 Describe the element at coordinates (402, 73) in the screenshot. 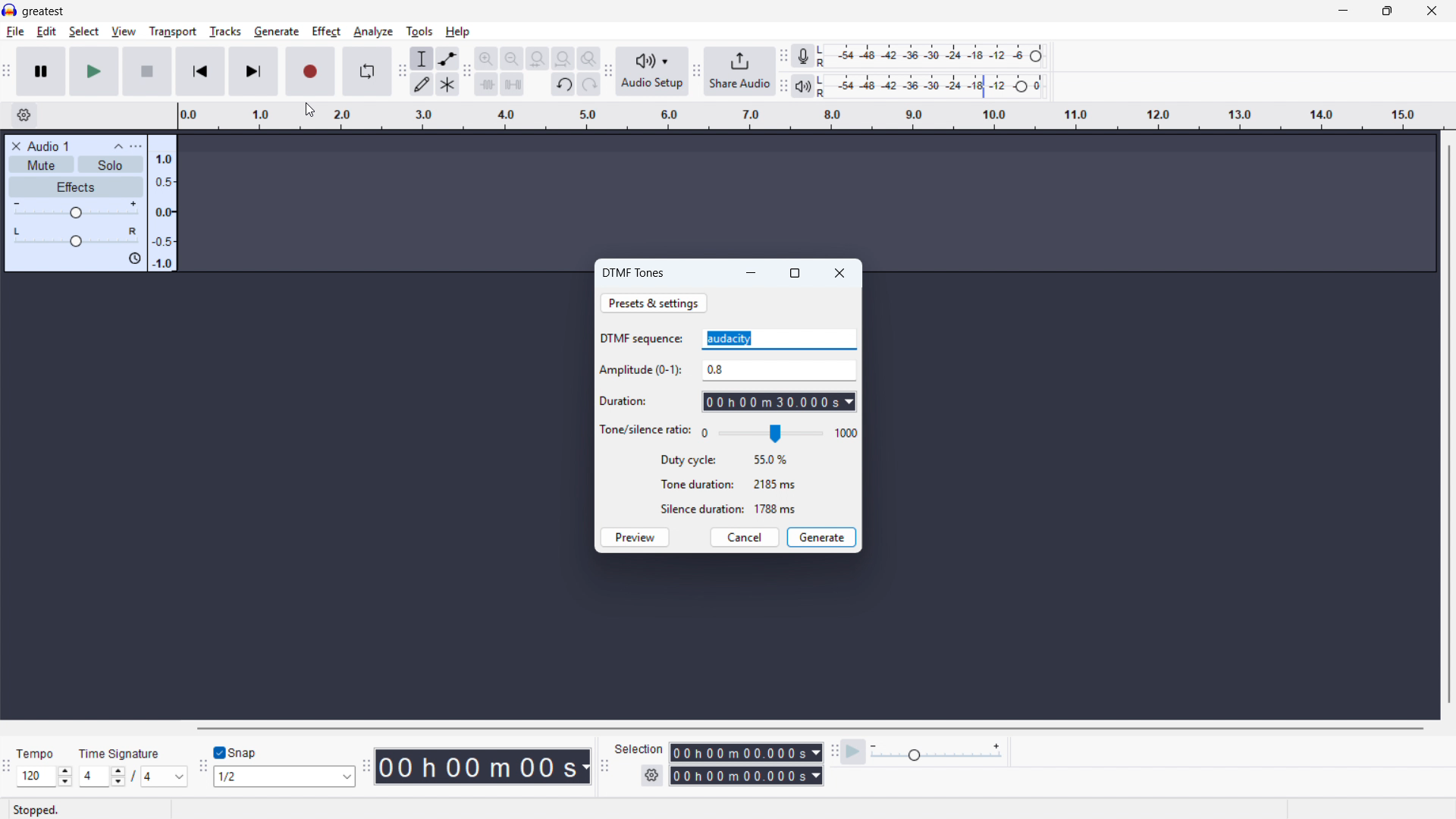

I see `tools toolbar` at that location.